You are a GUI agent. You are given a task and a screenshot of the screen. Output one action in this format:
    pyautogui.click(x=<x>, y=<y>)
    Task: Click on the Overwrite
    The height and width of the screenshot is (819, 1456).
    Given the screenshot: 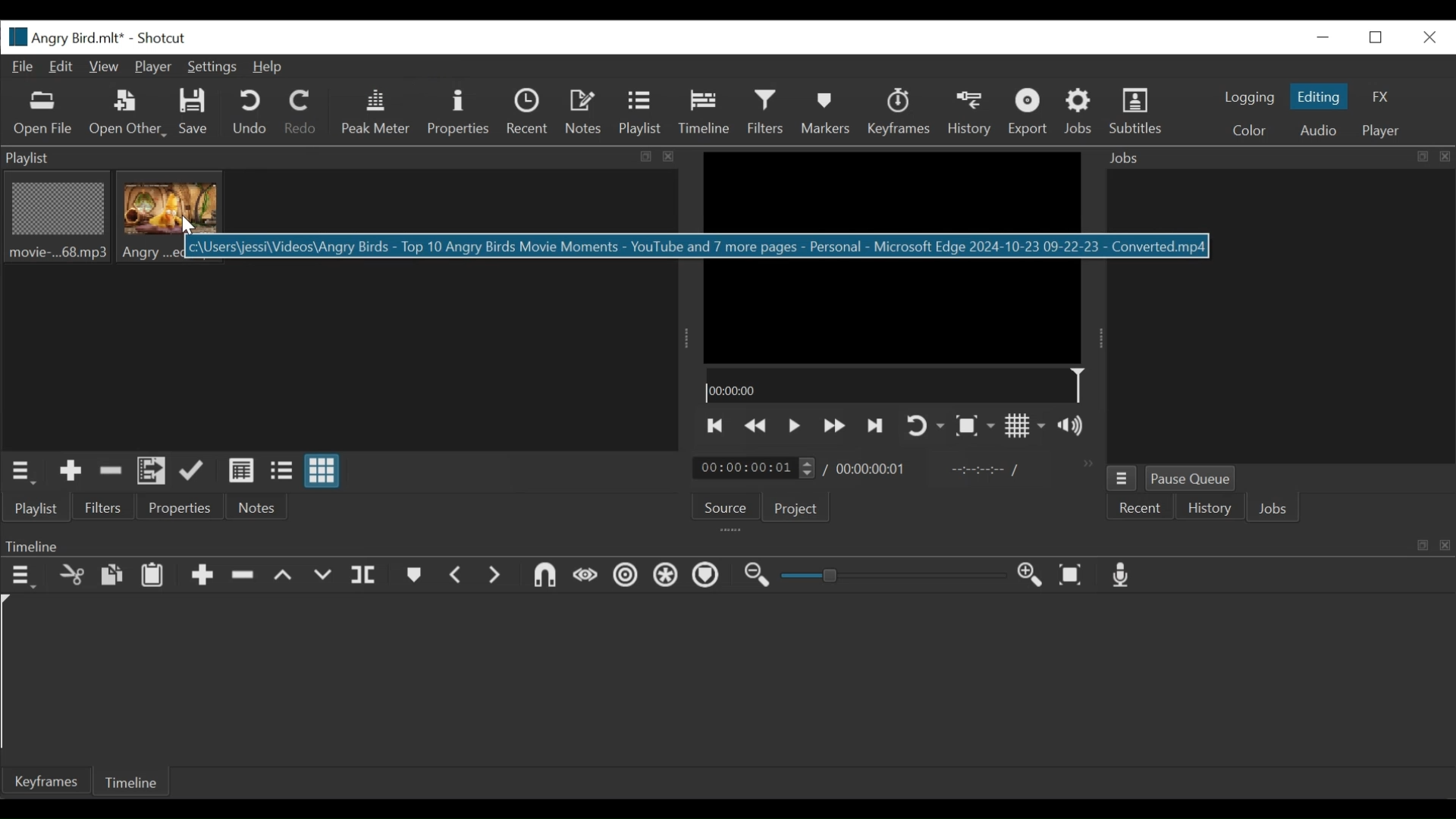 What is the action you would take?
    pyautogui.click(x=324, y=576)
    